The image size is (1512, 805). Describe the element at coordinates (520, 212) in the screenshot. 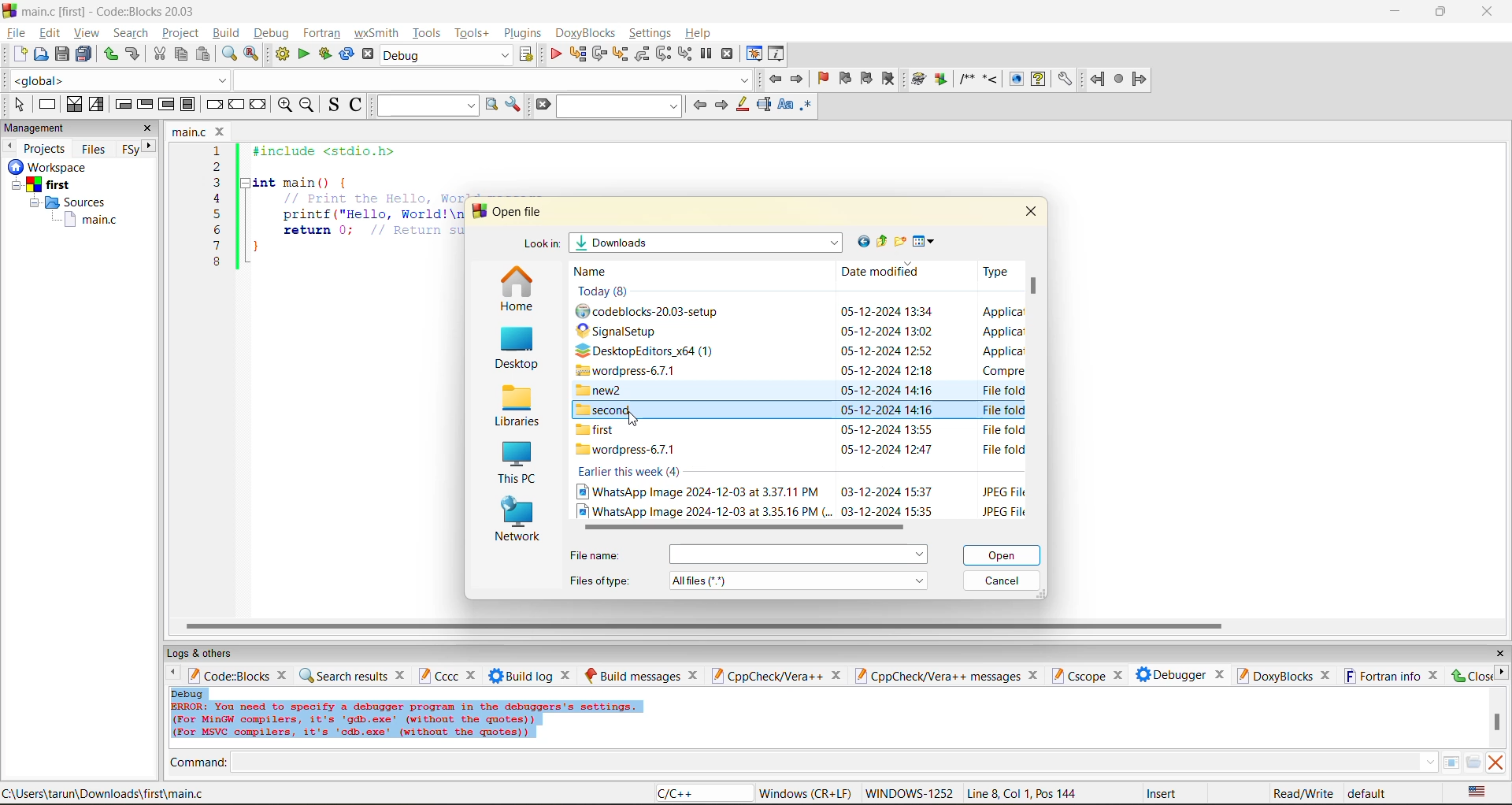

I see `open file` at that location.